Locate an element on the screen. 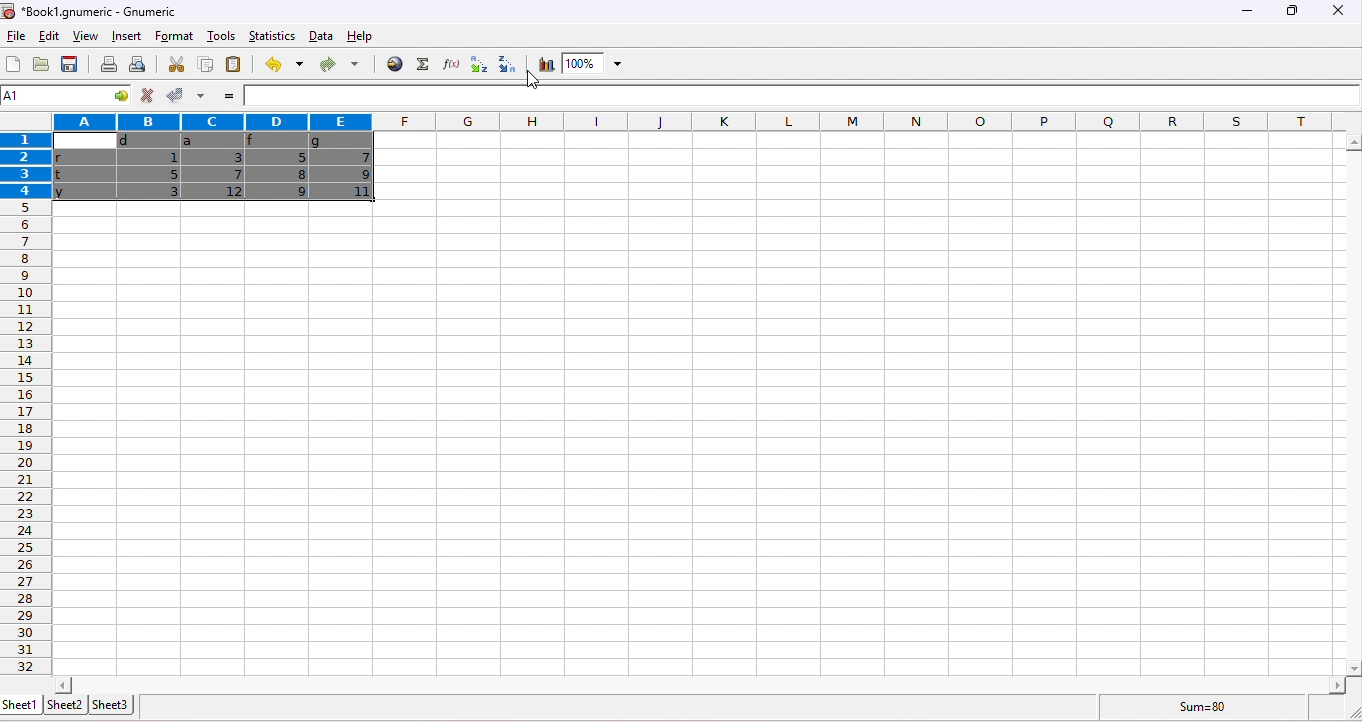 The image size is (1362, 722). column headings is located at coordinates (674, 122).